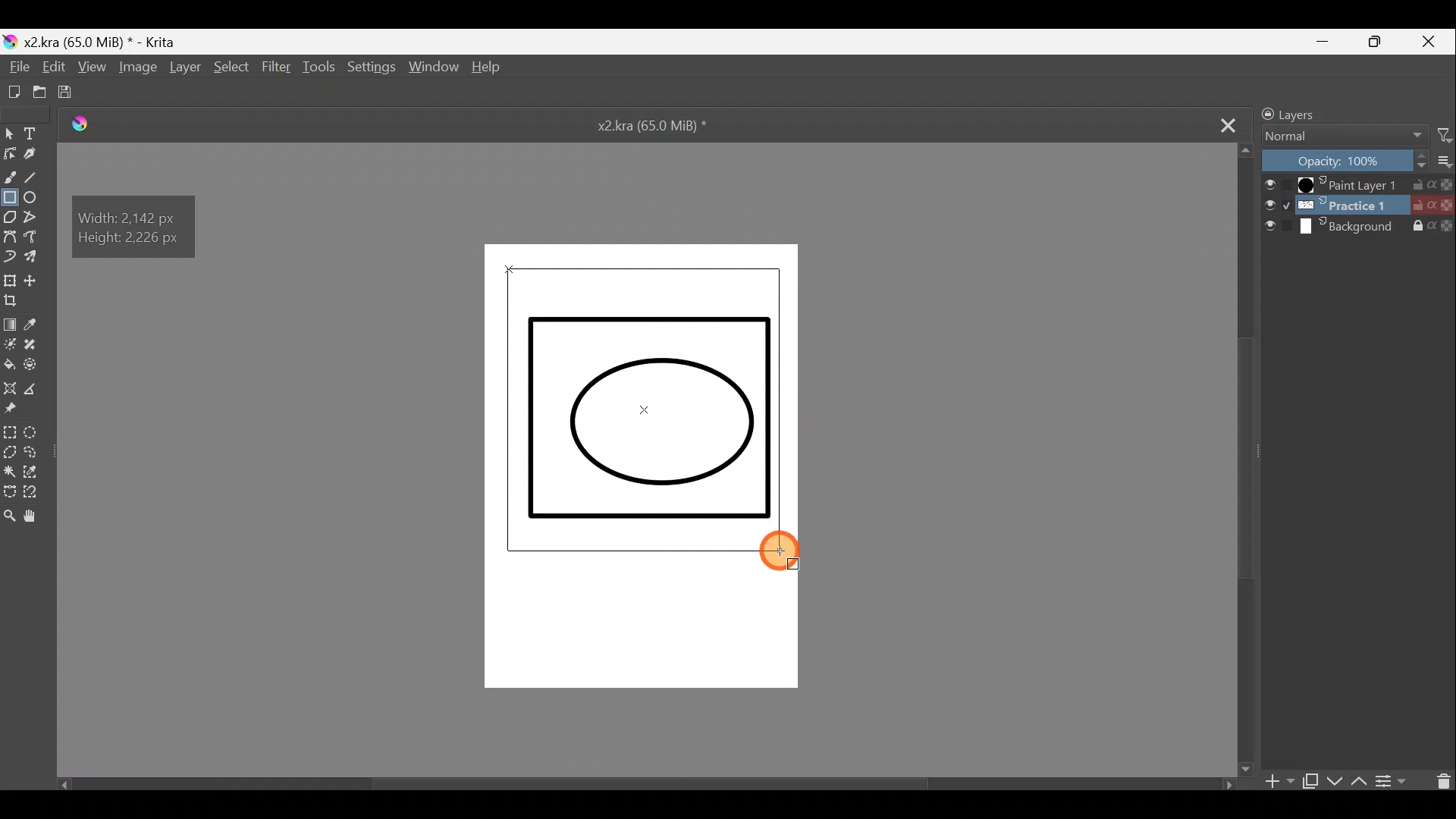 The height and width of the screenshot is (819, 1456). Describe the element at coordinates (49, 67) in the screenshot. I see `Edit` at that location.